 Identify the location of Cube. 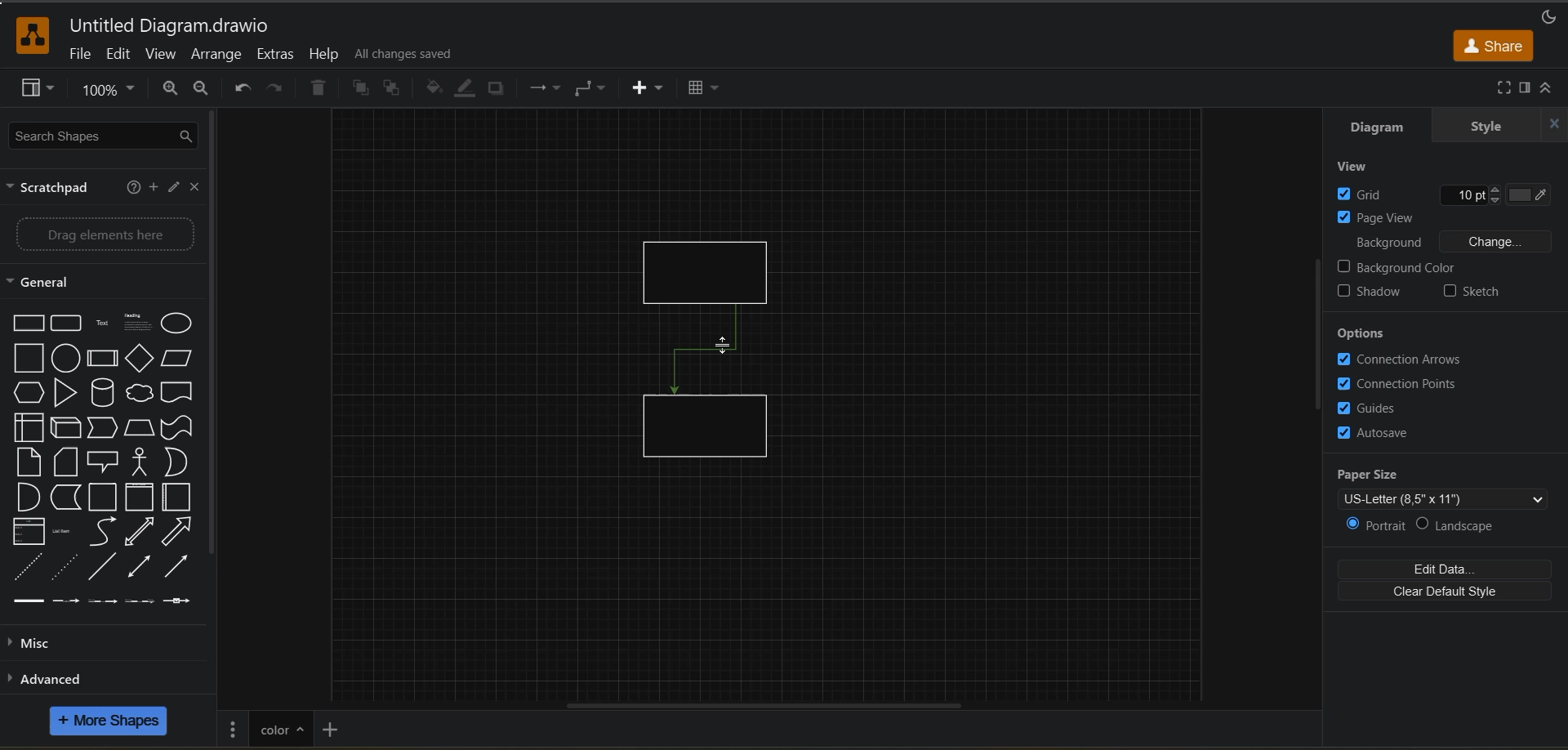
(66, 428).